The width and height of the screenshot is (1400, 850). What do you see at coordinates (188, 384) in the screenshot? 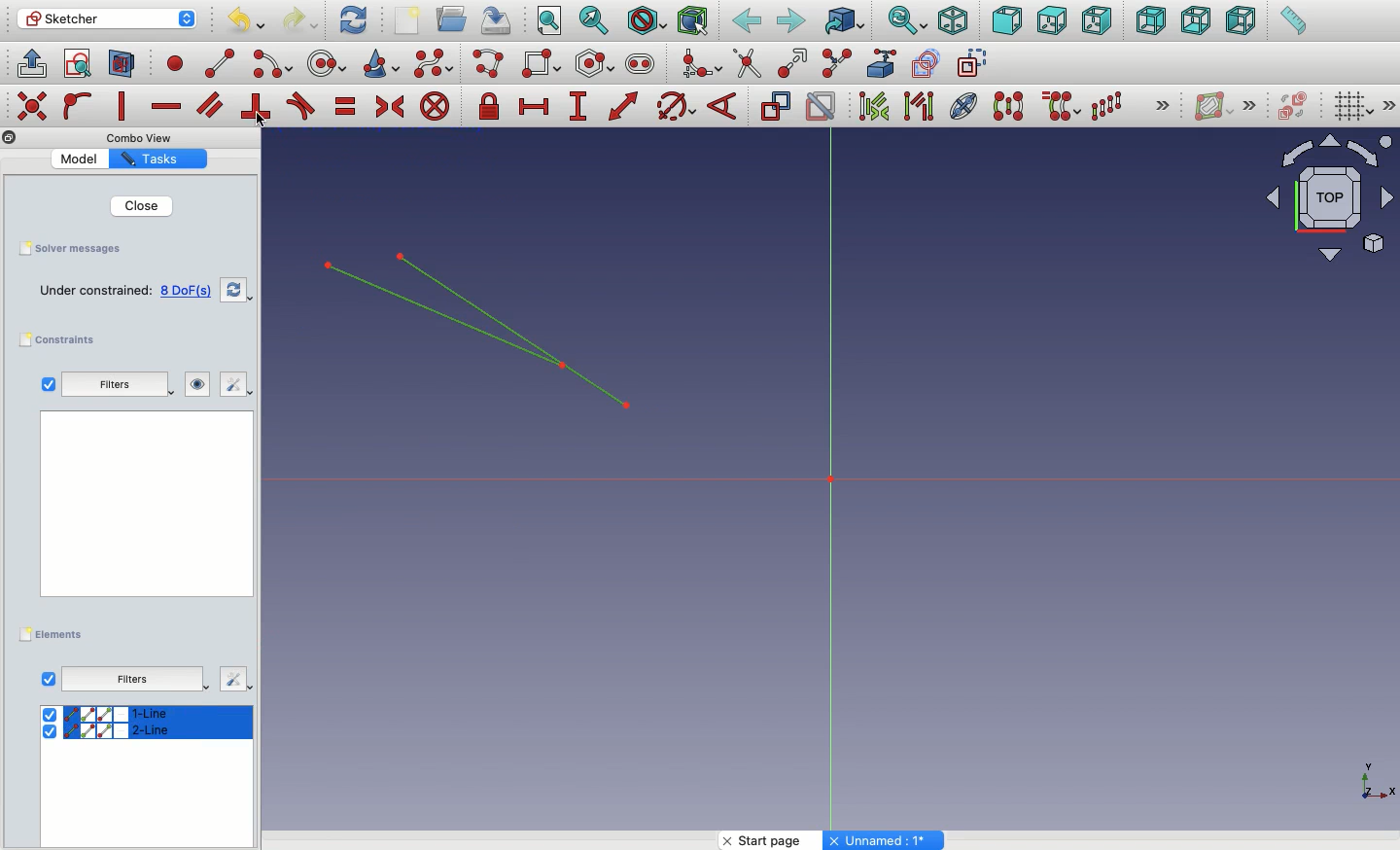
I see `Visibility ` at bounding box center [188, 384].